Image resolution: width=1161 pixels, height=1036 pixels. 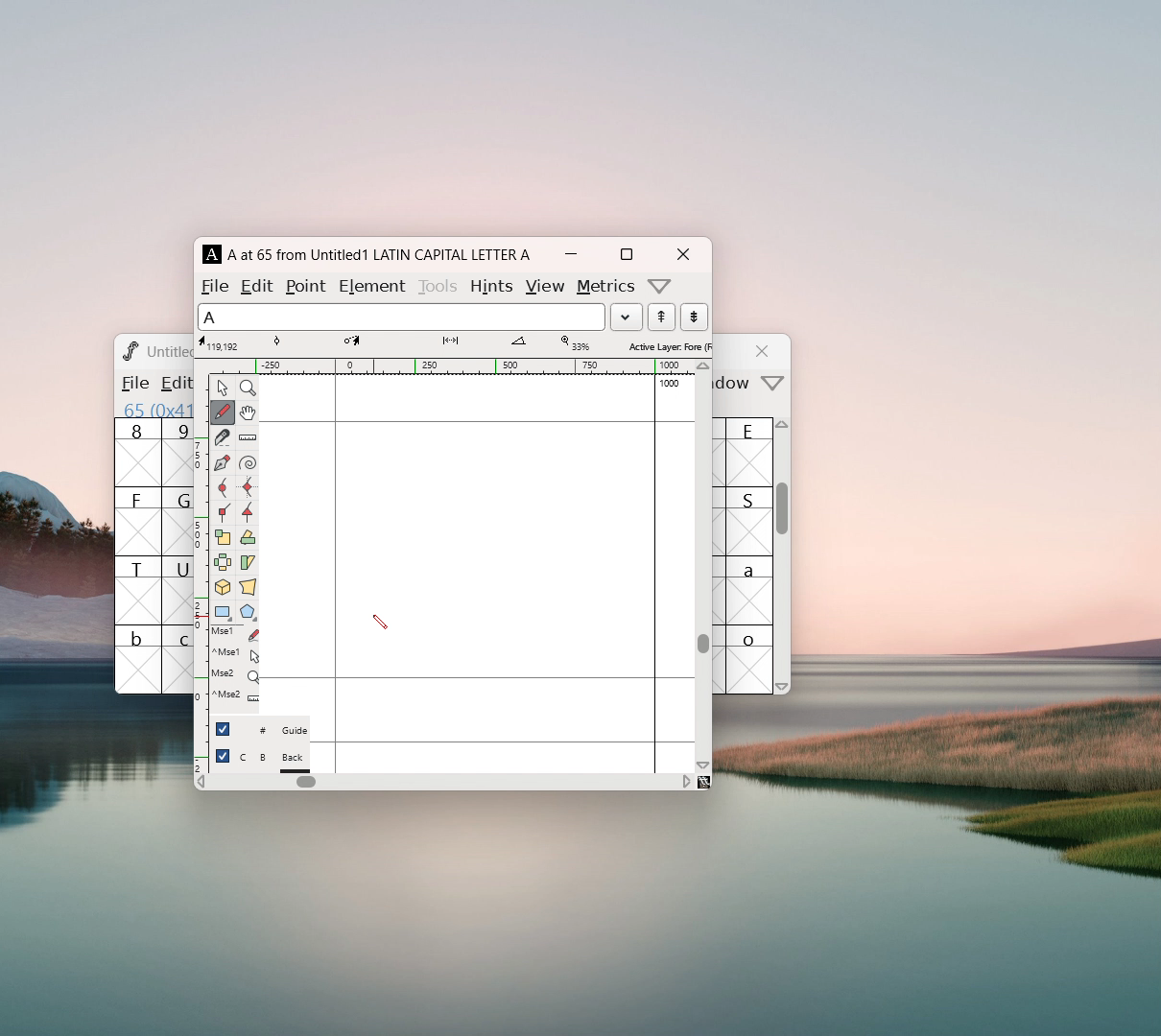 What do you see at coordinates (308, 286) in the screenshot?
I see `point` at bounding box center [308, 286].